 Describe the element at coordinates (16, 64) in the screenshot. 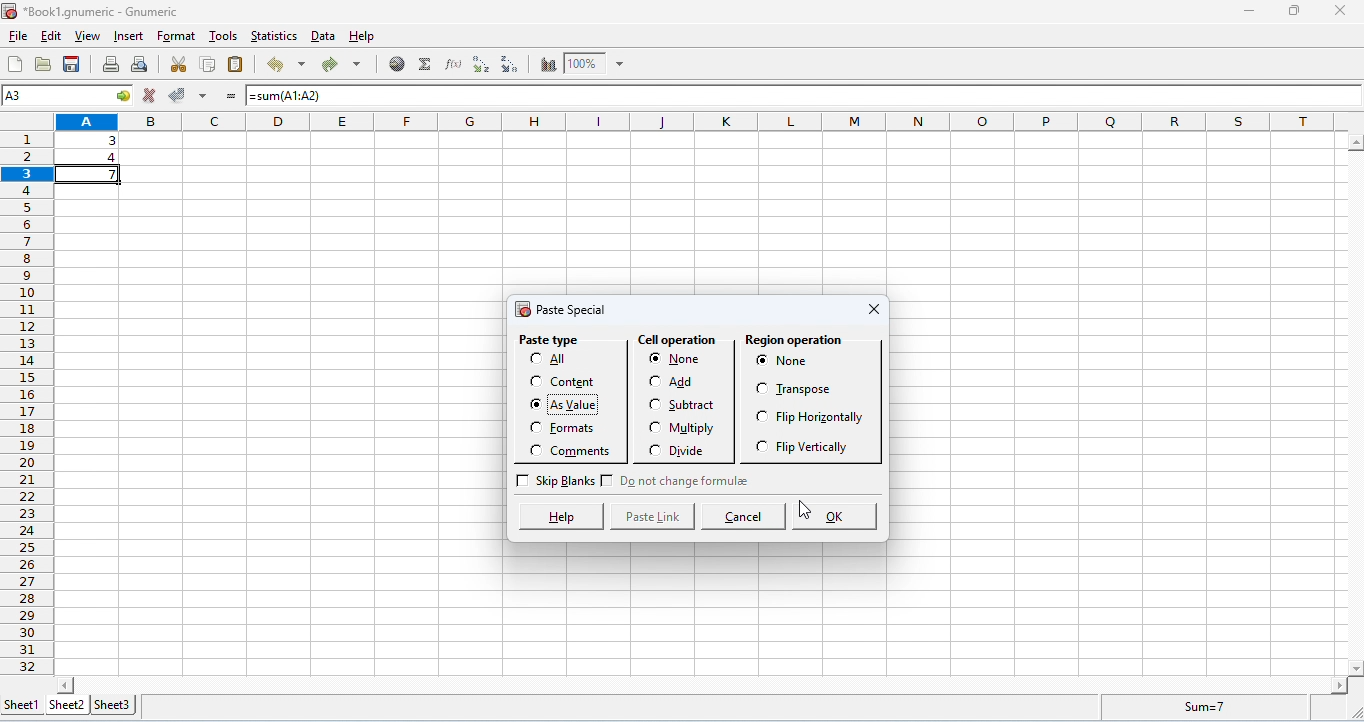

I see `new` at that location.